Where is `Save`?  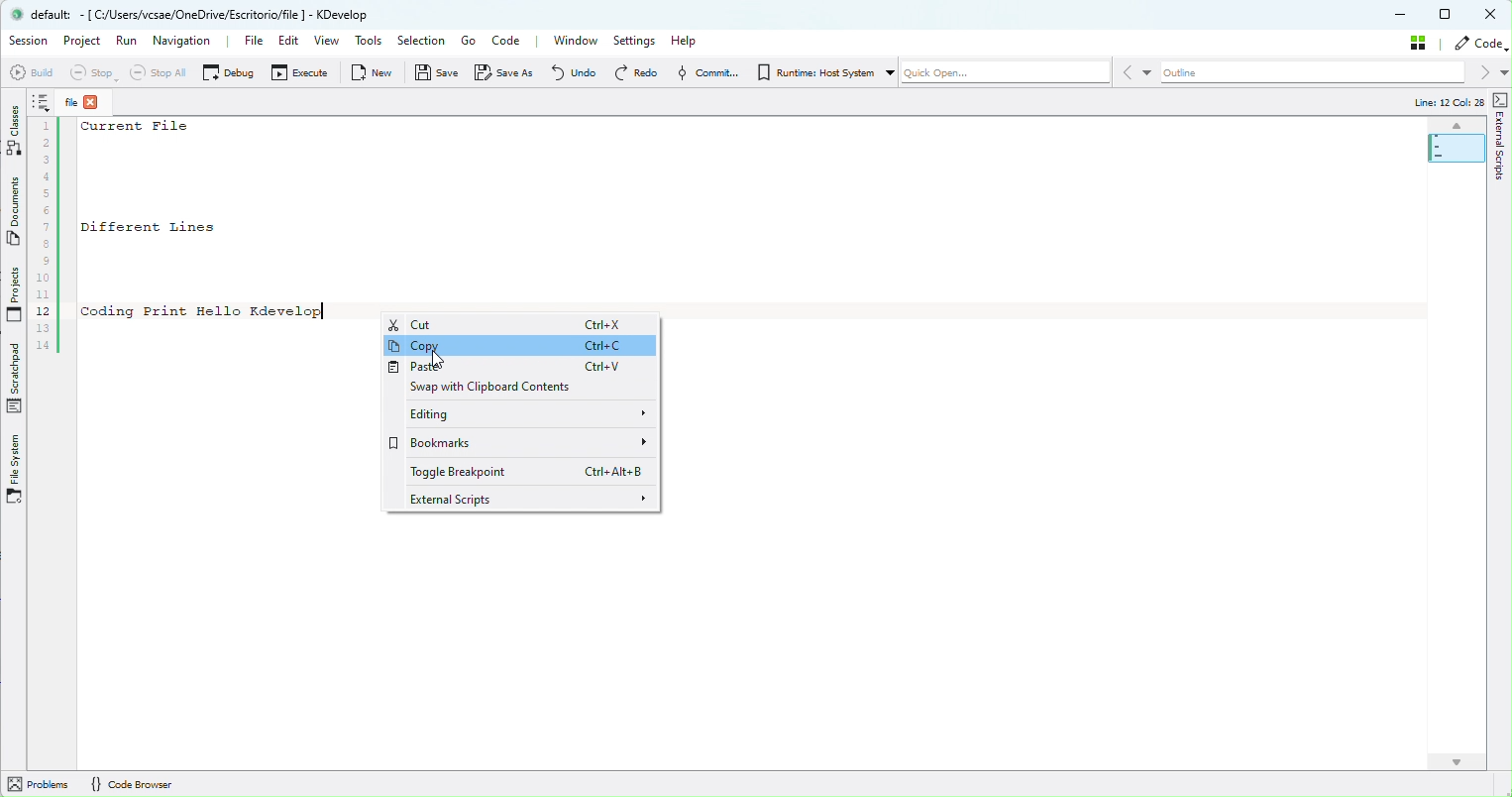
Save is located at coordinates (432, 75).